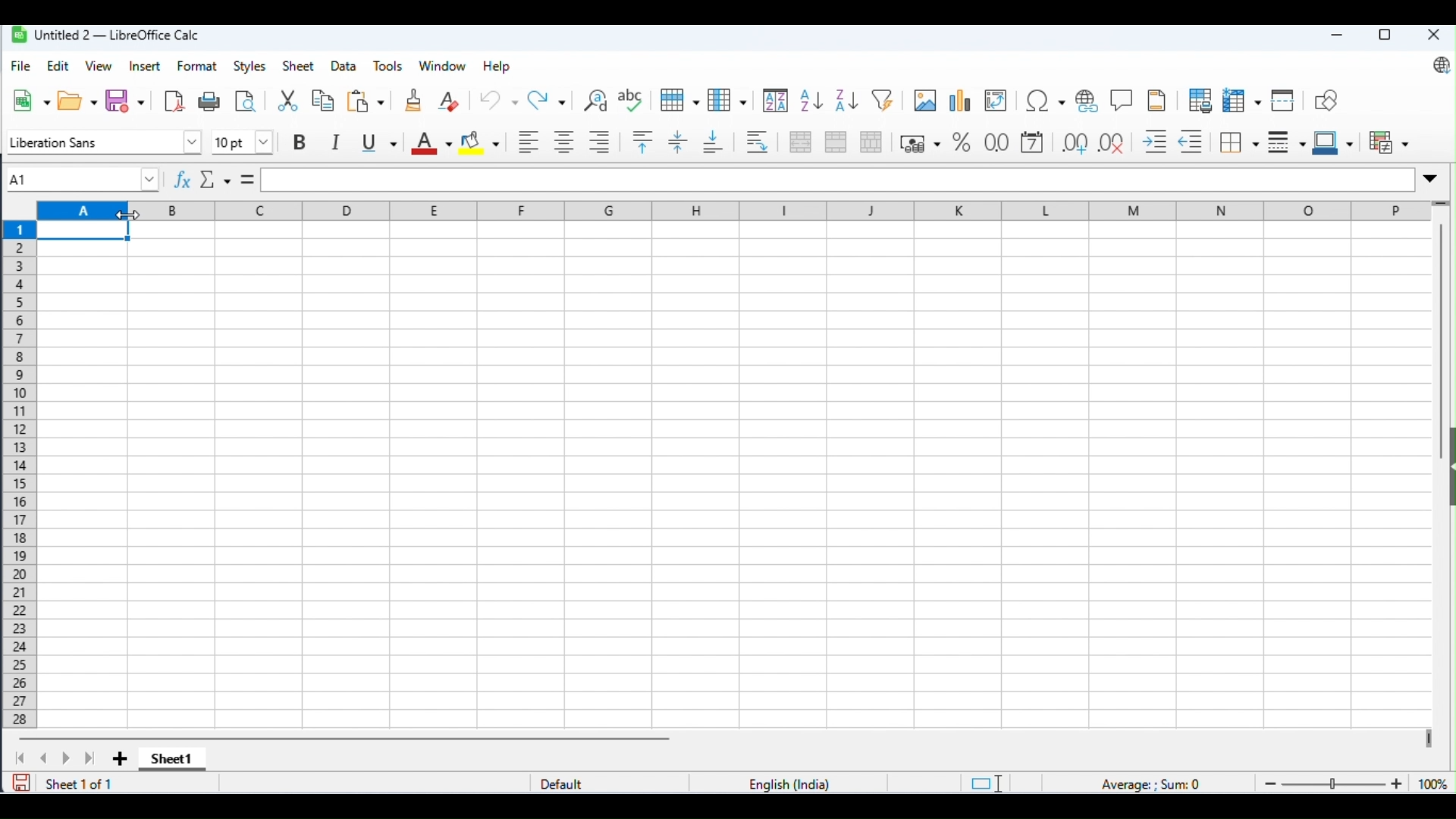  Describe the element at coordinates (597, 99) in the screenshot. I see `find and replace` at that location.